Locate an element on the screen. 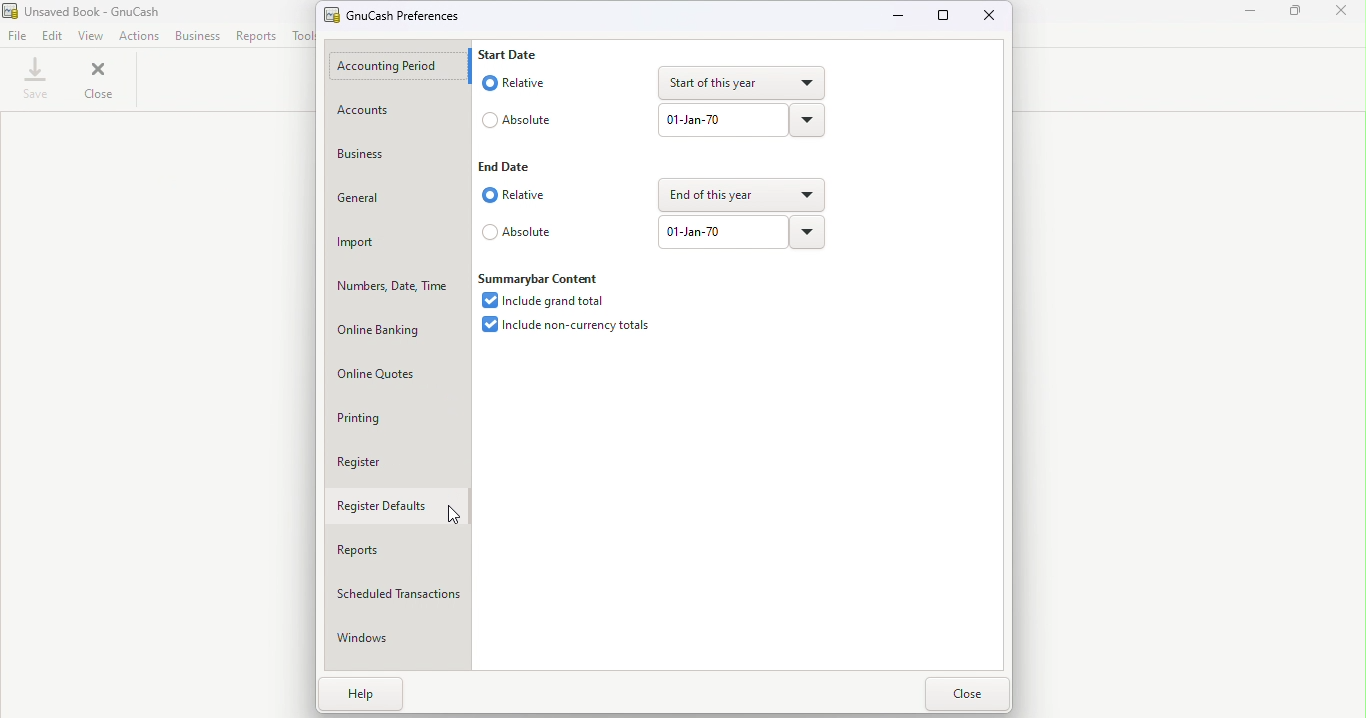 This screenshot has width=1366, height=718. Close is located at coordinates (1345, 17).